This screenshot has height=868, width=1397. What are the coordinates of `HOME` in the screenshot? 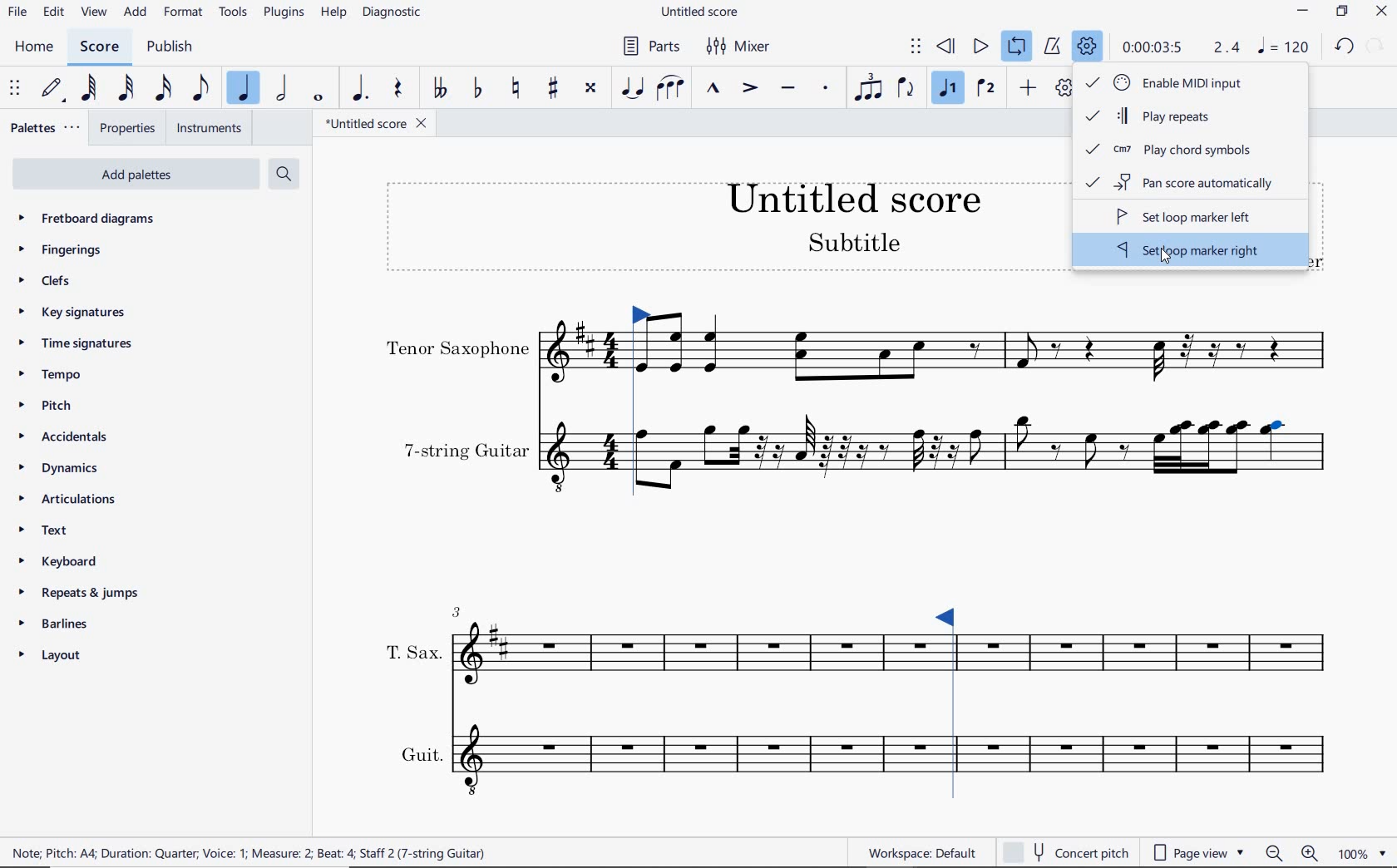 It's located at (32, 47).